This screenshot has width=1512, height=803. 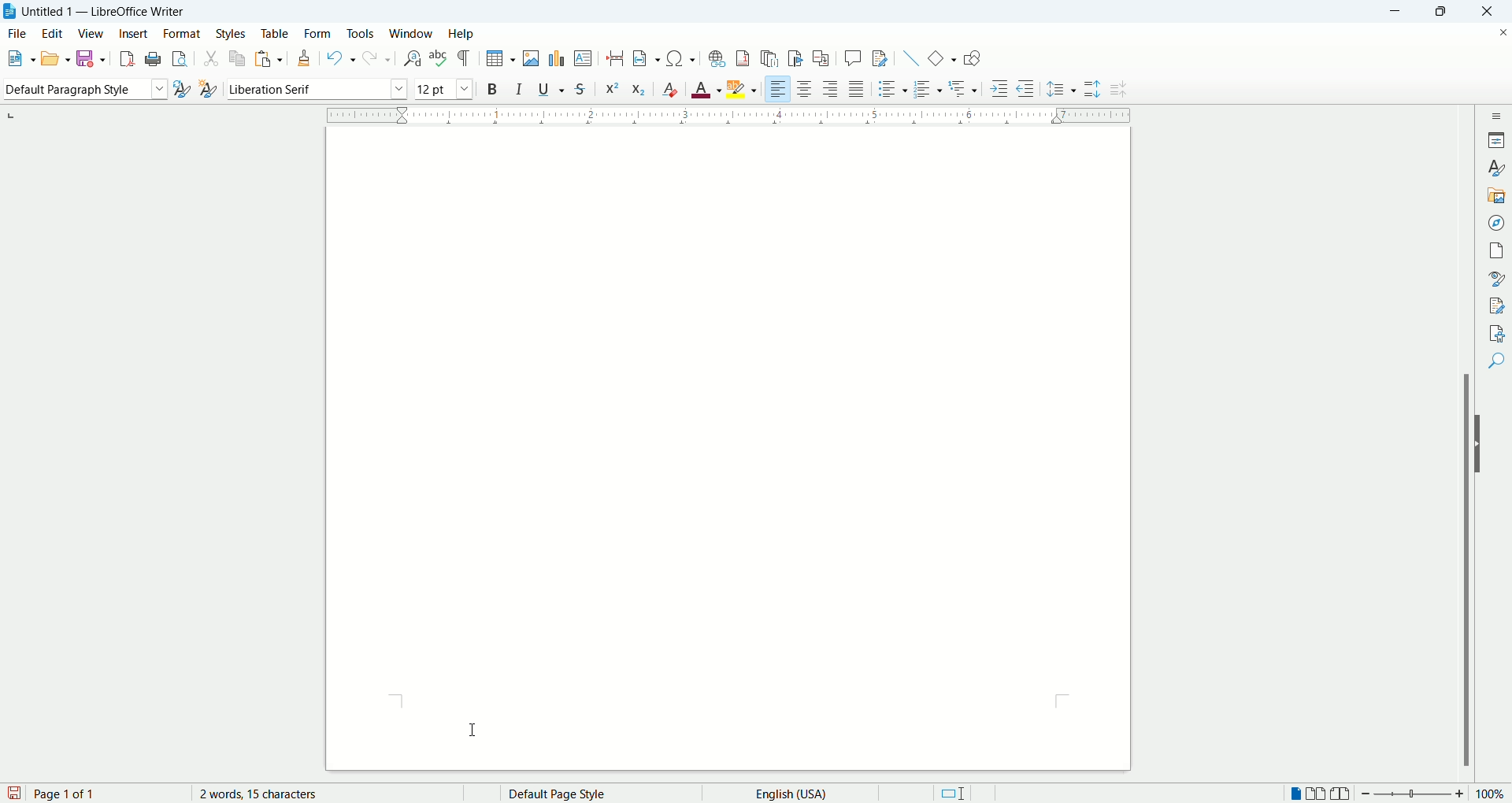 What do you see at coordinates (1319, 794) in the screenshot?
I see `double page view` at bounding box center [1319, 794].